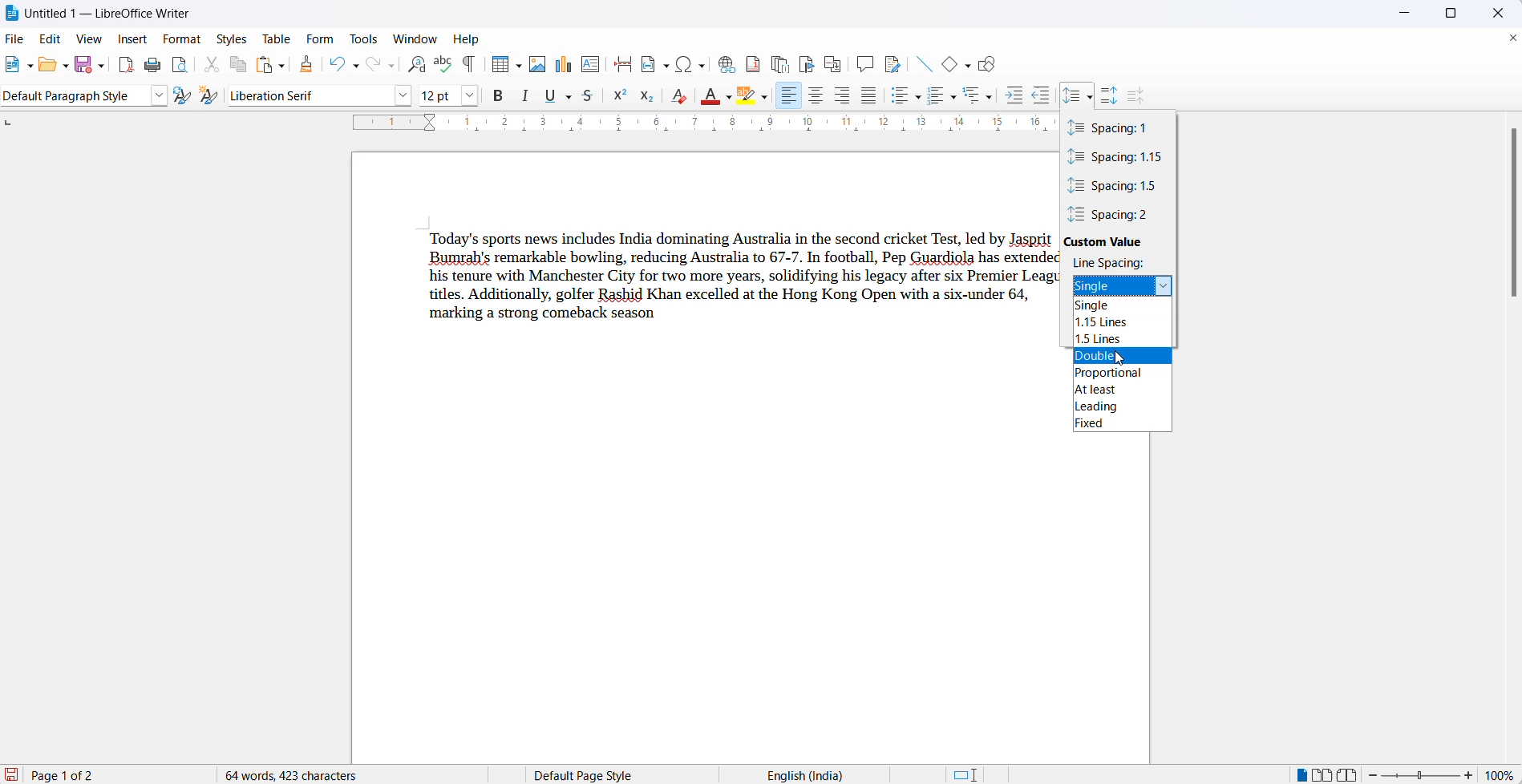 The image size is (1522, 784). Describe the element at coordinates (1469, 774) in the screenshot. I see `increase zoom` at that location.